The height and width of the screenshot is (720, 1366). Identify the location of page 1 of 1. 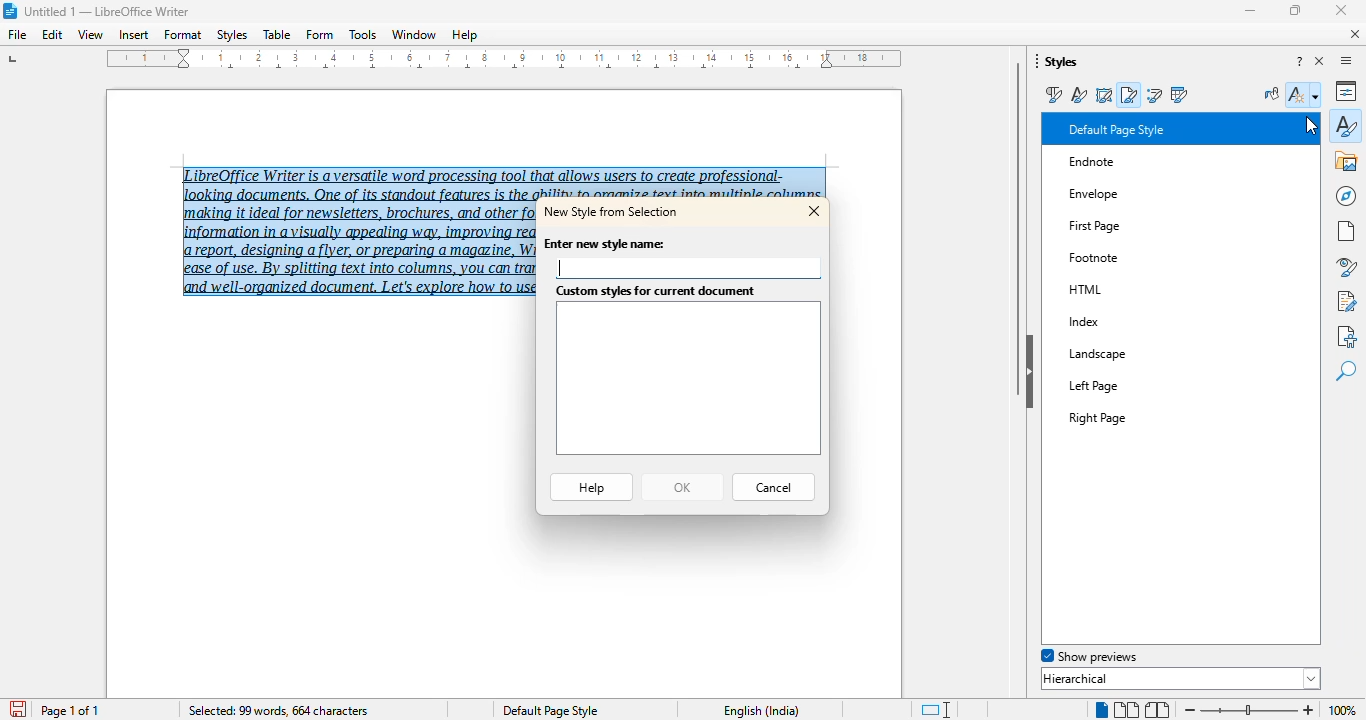
(71, 711).